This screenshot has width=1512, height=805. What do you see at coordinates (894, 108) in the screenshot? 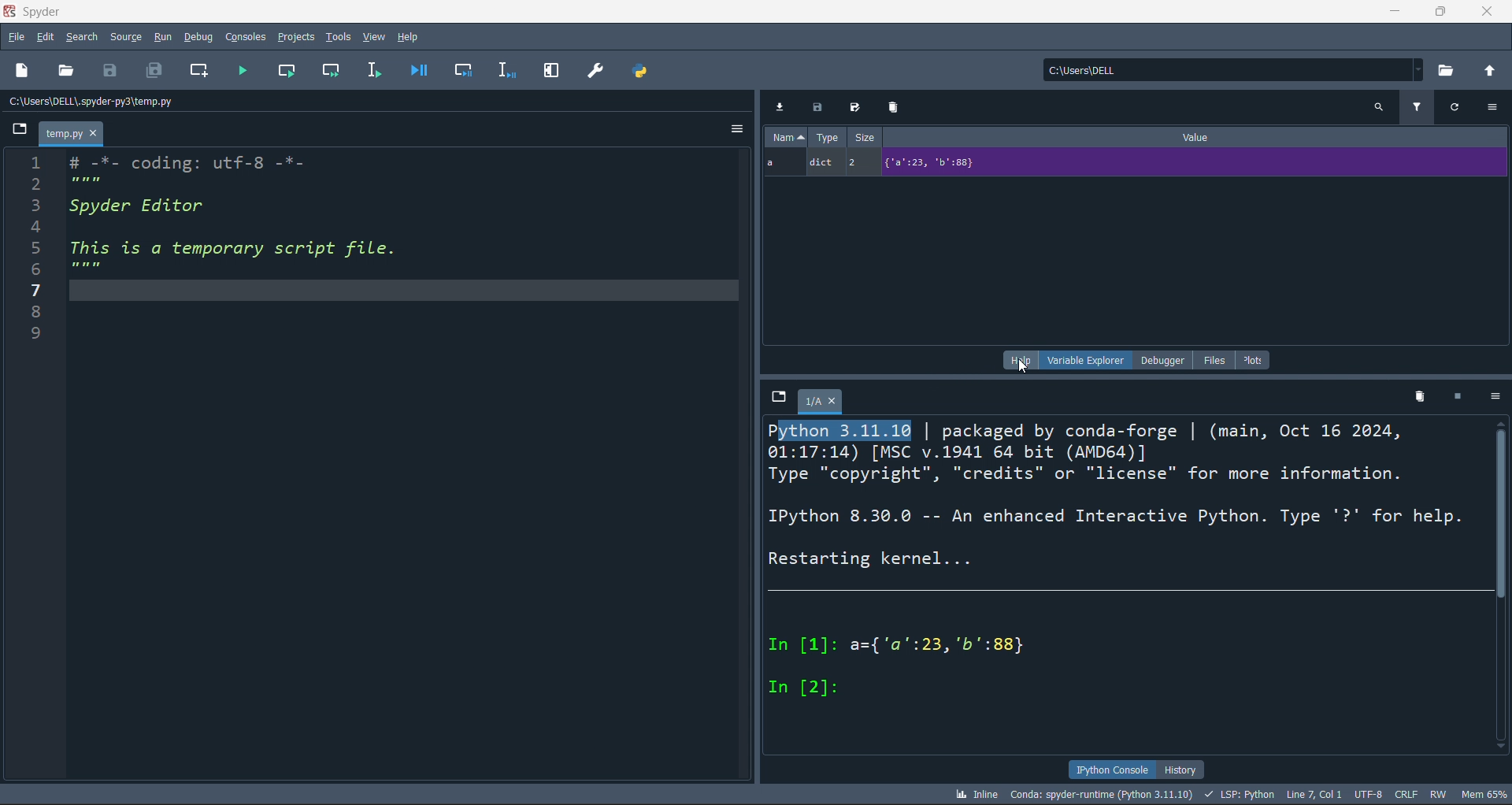
I see `delete` at bounding box center [894, 108].